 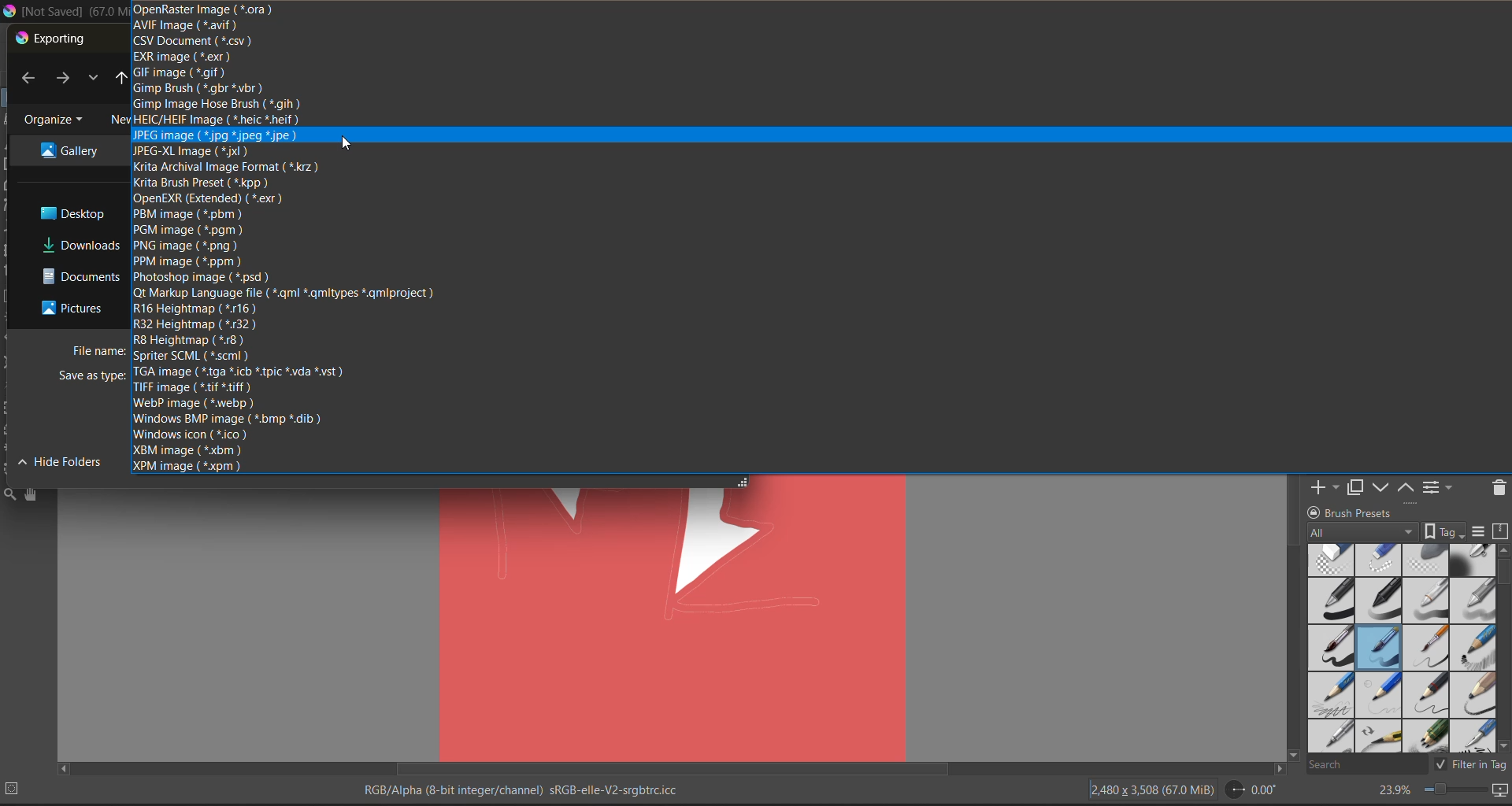 What do you see at coordinates (1251, 790) in the screenshot?
I see `flip angle` at bounding box center [1251, 790].